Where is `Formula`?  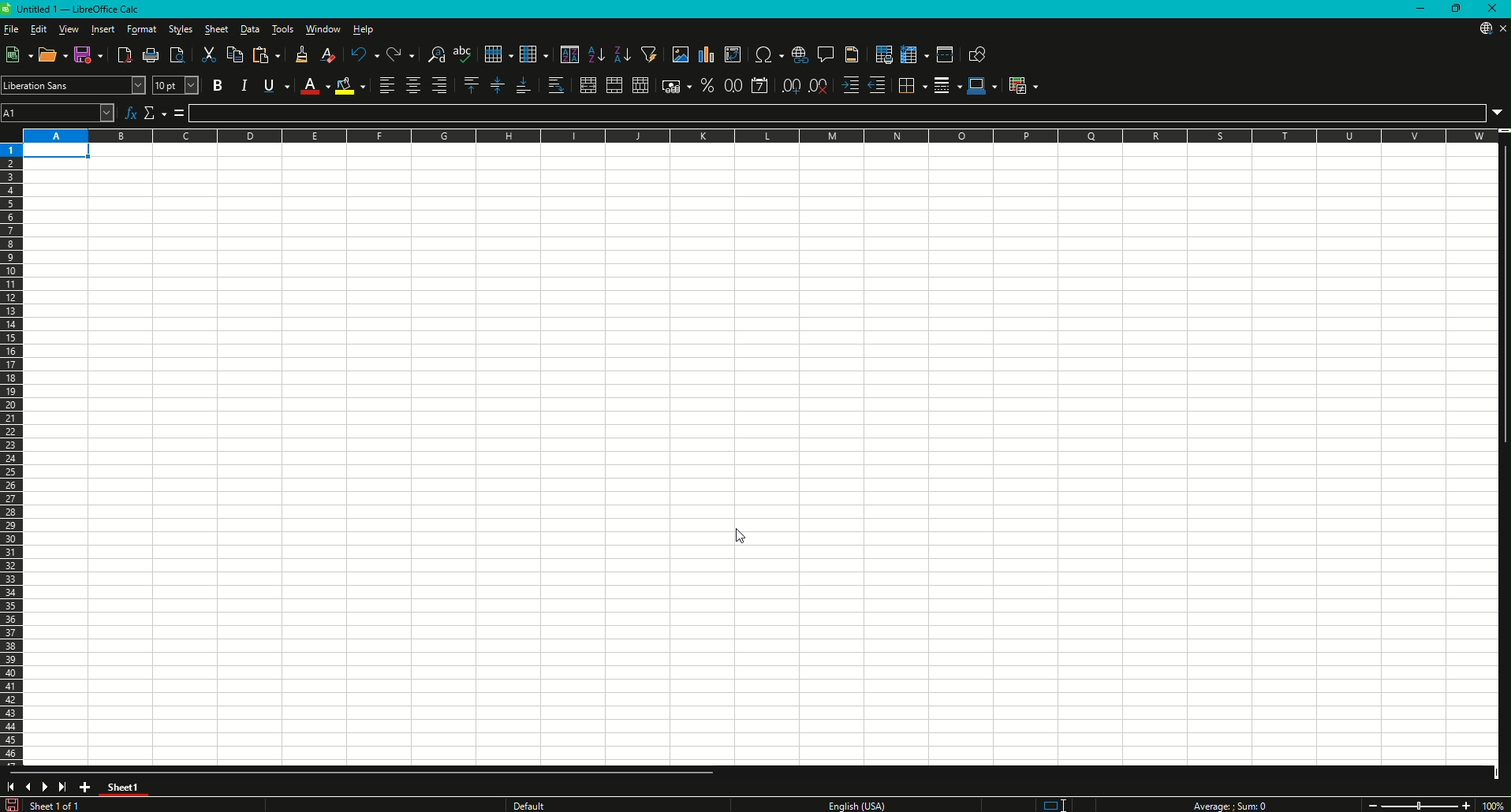
Formula is located at coordinates (180, 113).